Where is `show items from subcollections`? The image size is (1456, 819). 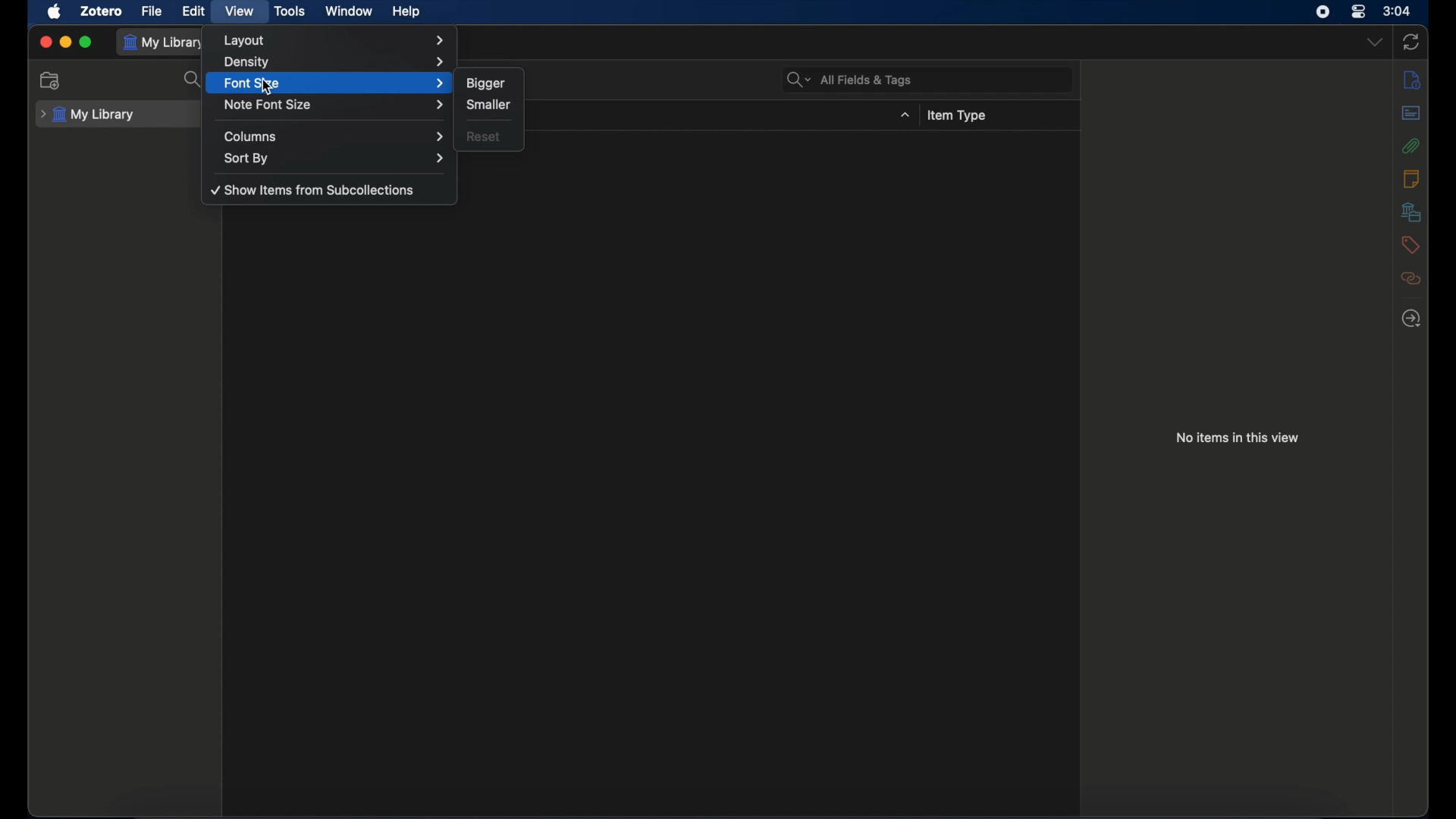
show items from subcollections is located at coordinates (315, 190).